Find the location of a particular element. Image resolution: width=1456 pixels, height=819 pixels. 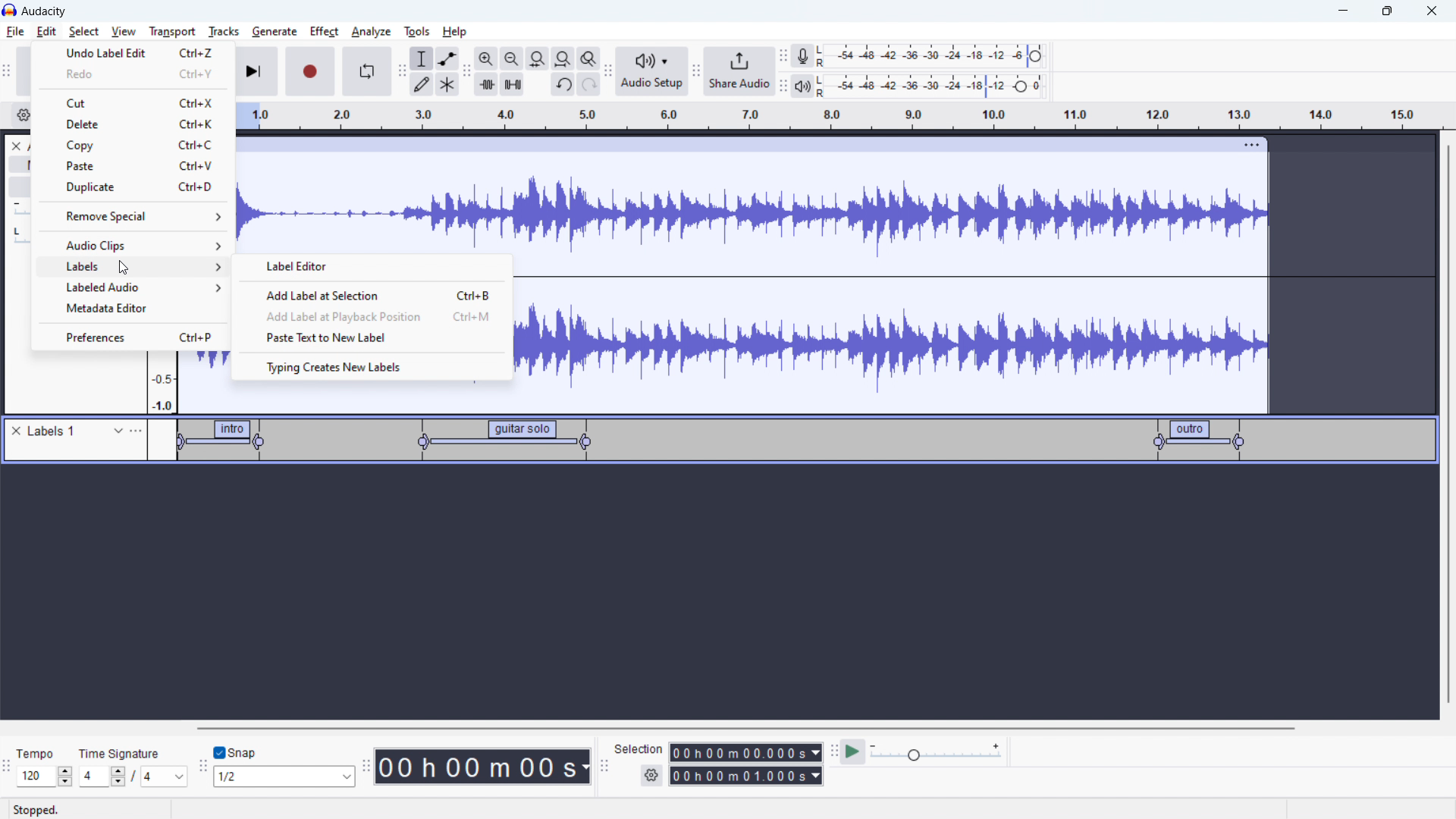

close is located at coordinates (1432, 11).